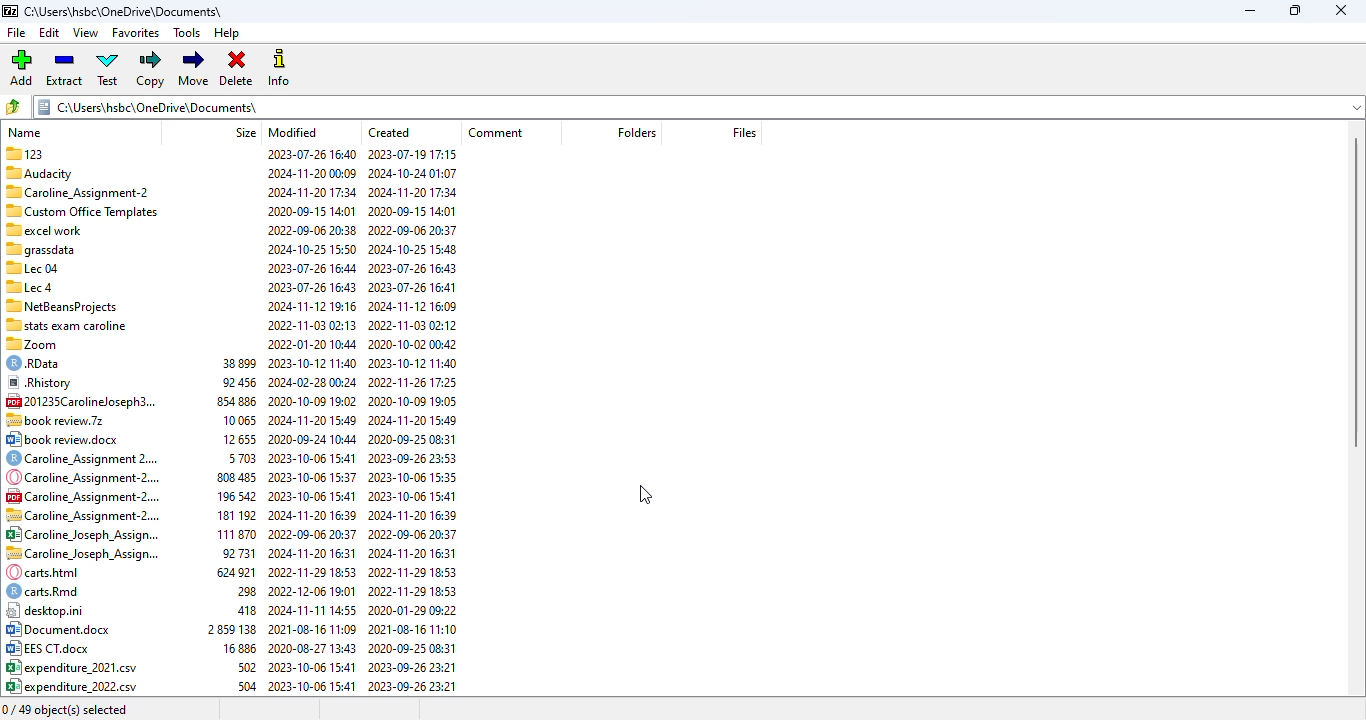  What do you see at coordinates (66, 711) in the screenshot?
I see `0/49 object(s) selected` at bounding box center [66, 711].